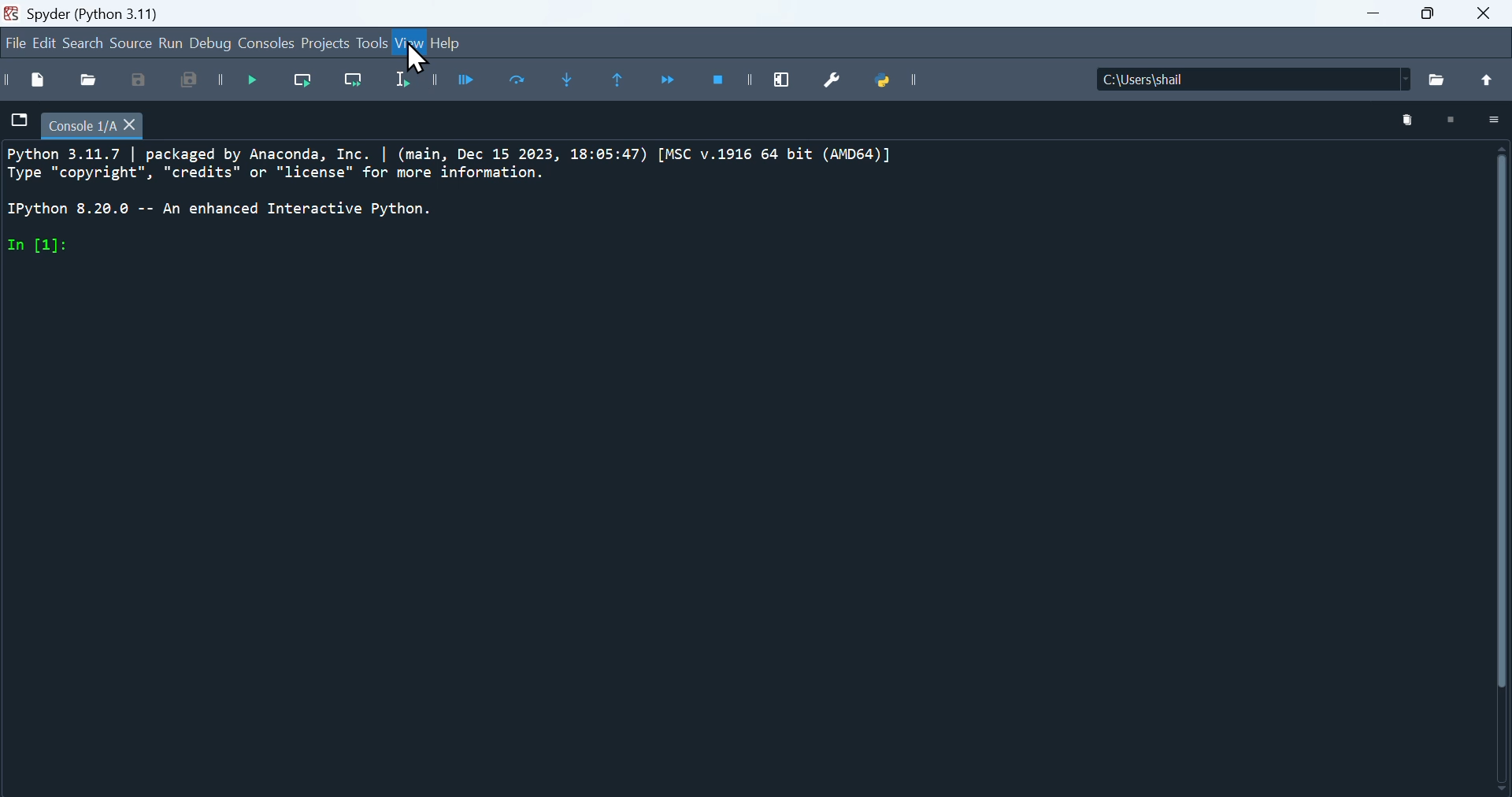 Image resolution: width=1512 pixels, height=797 pixels. I want to click on Editor panel, so click(732, 469).